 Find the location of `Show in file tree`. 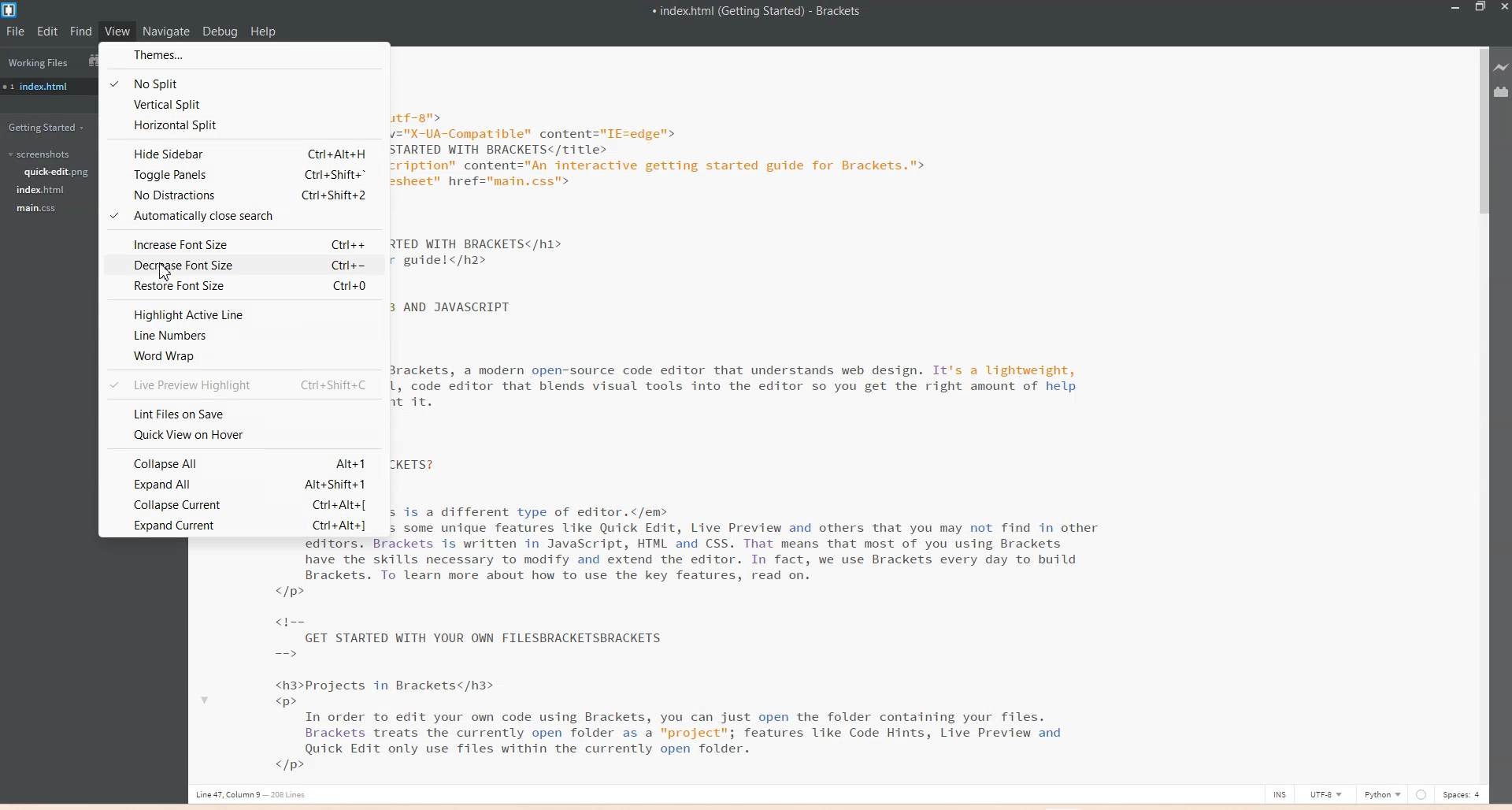

Show in file tree is located at coordinates (94, 61).